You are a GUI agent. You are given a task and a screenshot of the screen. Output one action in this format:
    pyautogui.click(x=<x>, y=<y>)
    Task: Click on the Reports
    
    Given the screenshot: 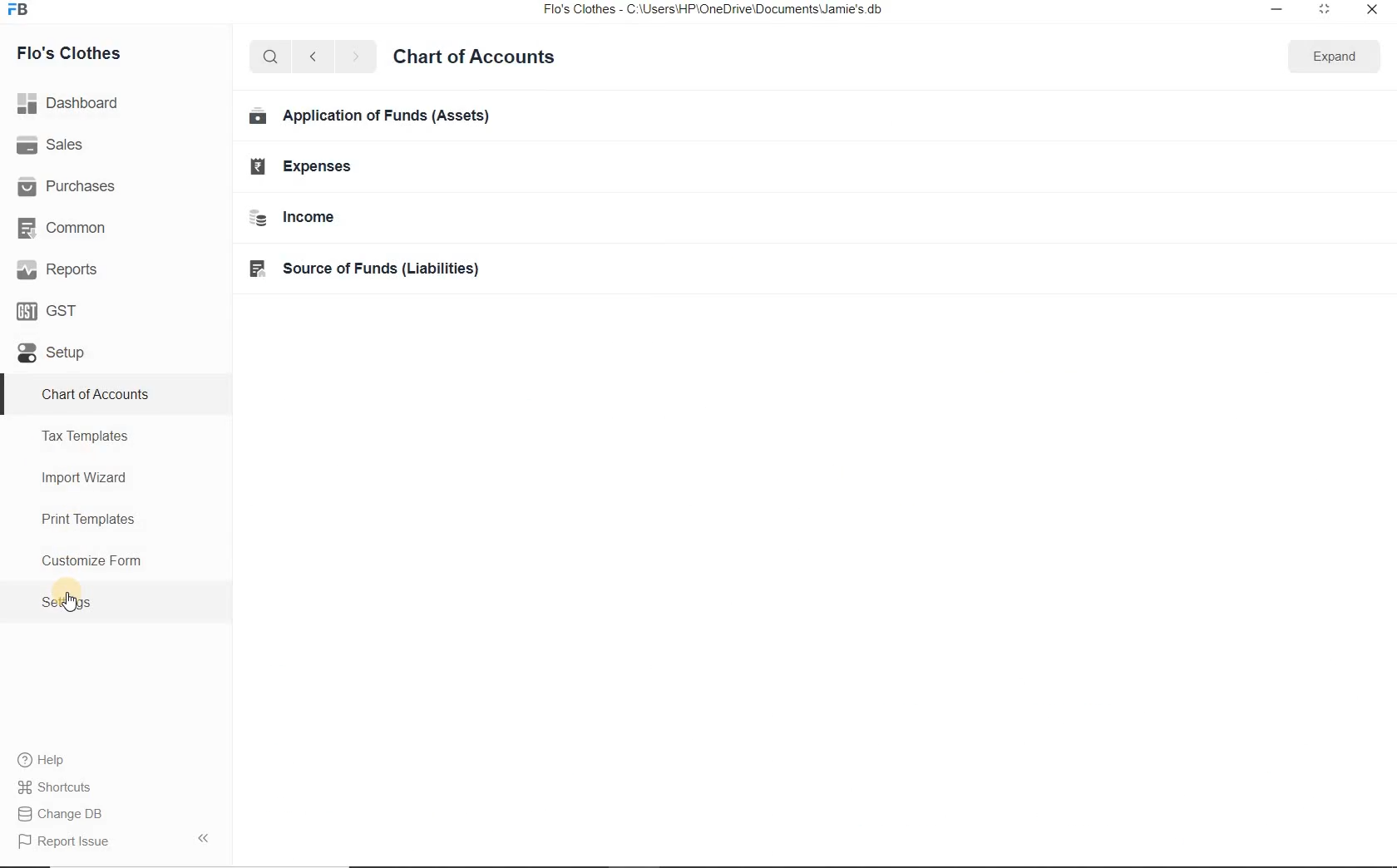 What is the action you would take?
    pyautogui.click(x=56, y=269)
    